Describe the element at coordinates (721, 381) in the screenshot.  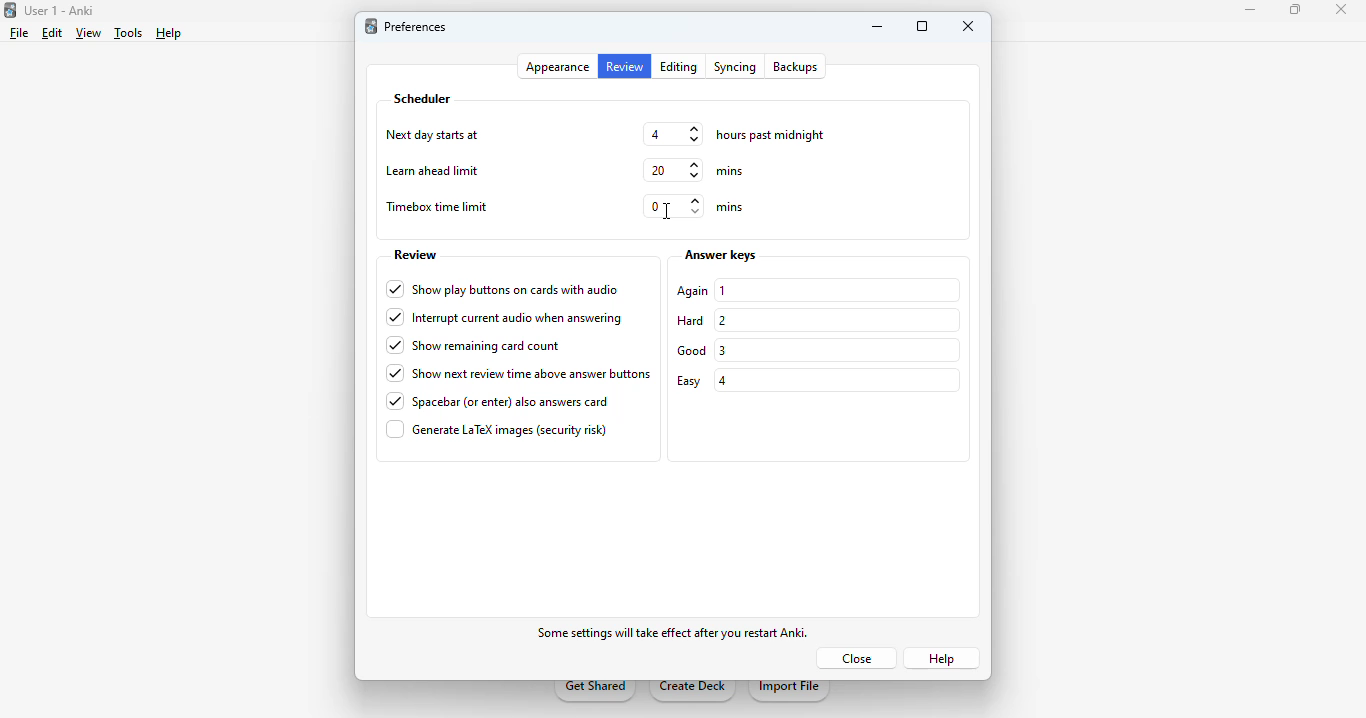
I see `4` at that location.